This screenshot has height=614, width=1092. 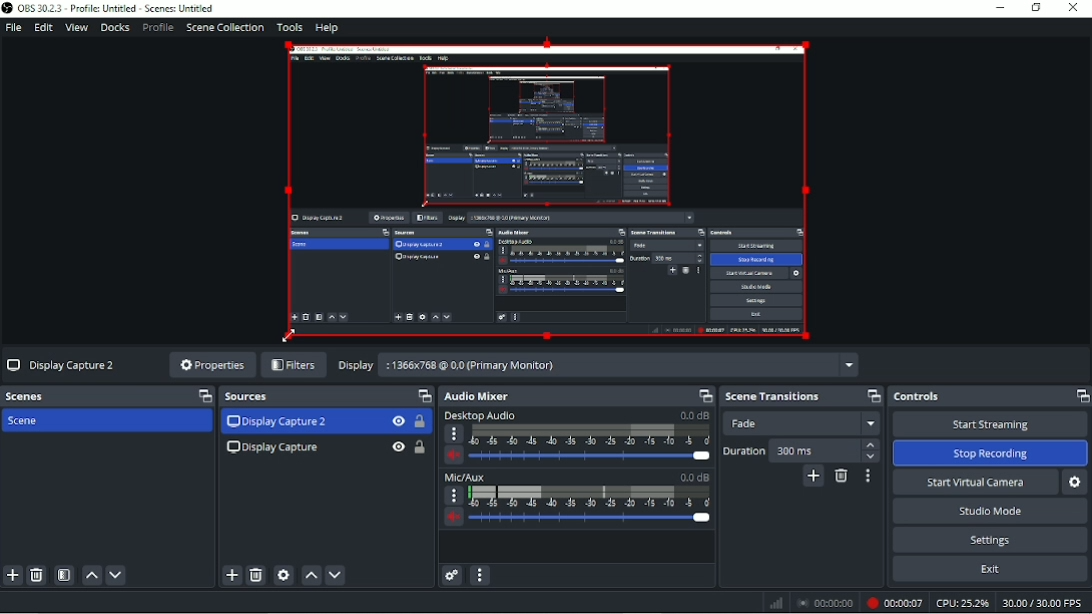 I want to click on Properties, so click(x=208, y=365).